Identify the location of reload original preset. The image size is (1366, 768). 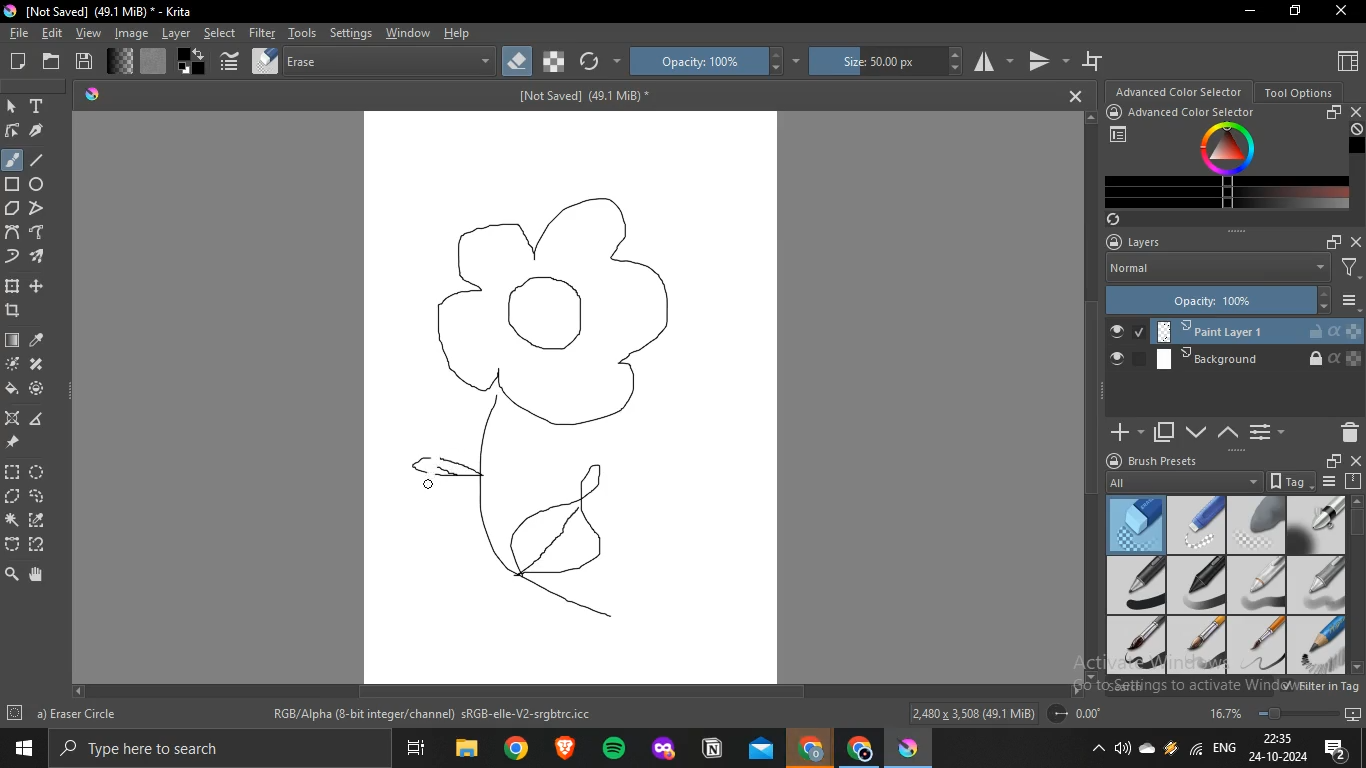
(599, 62).